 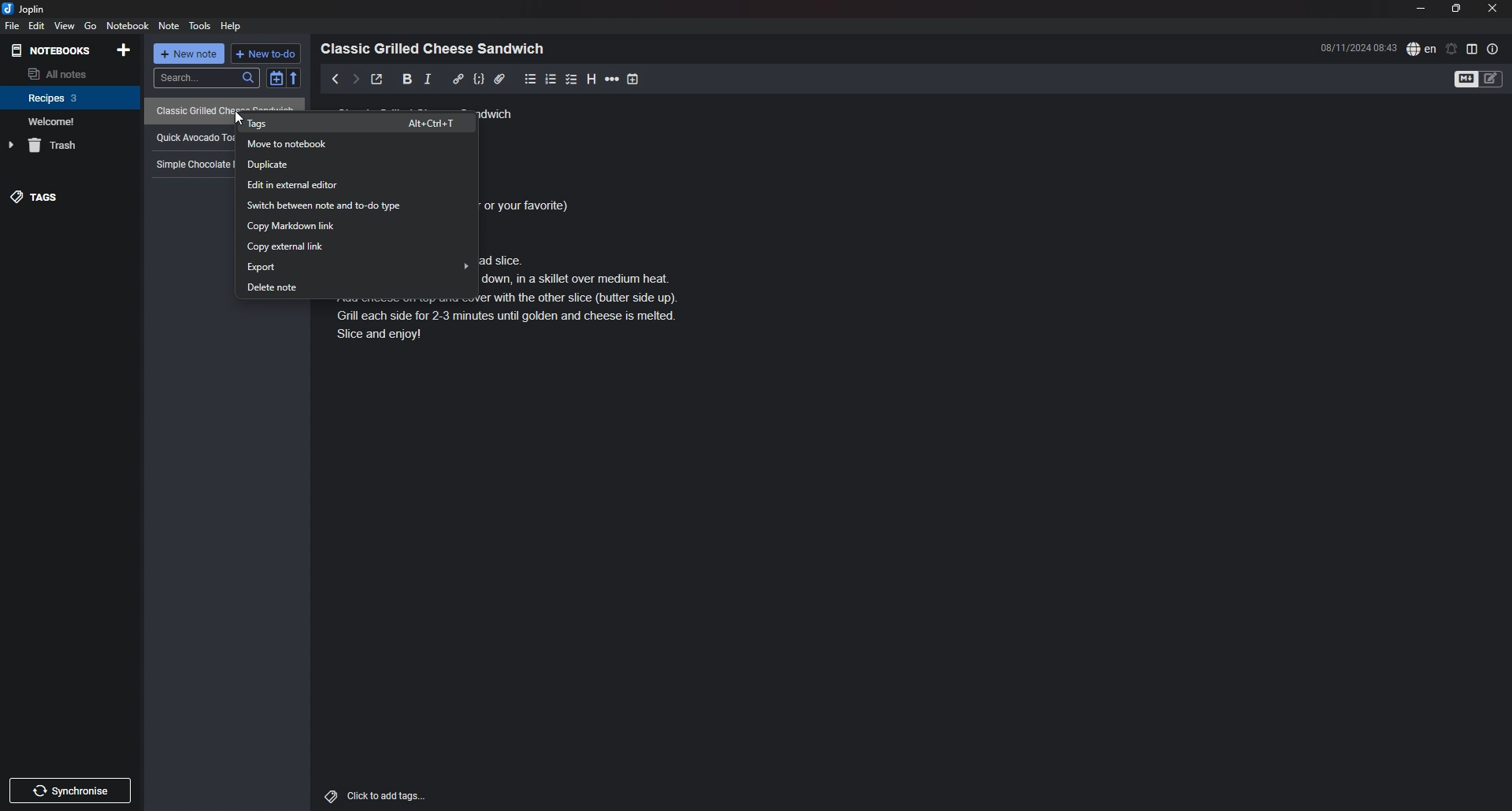 I want to click on tags, so click(x=69, y=198).